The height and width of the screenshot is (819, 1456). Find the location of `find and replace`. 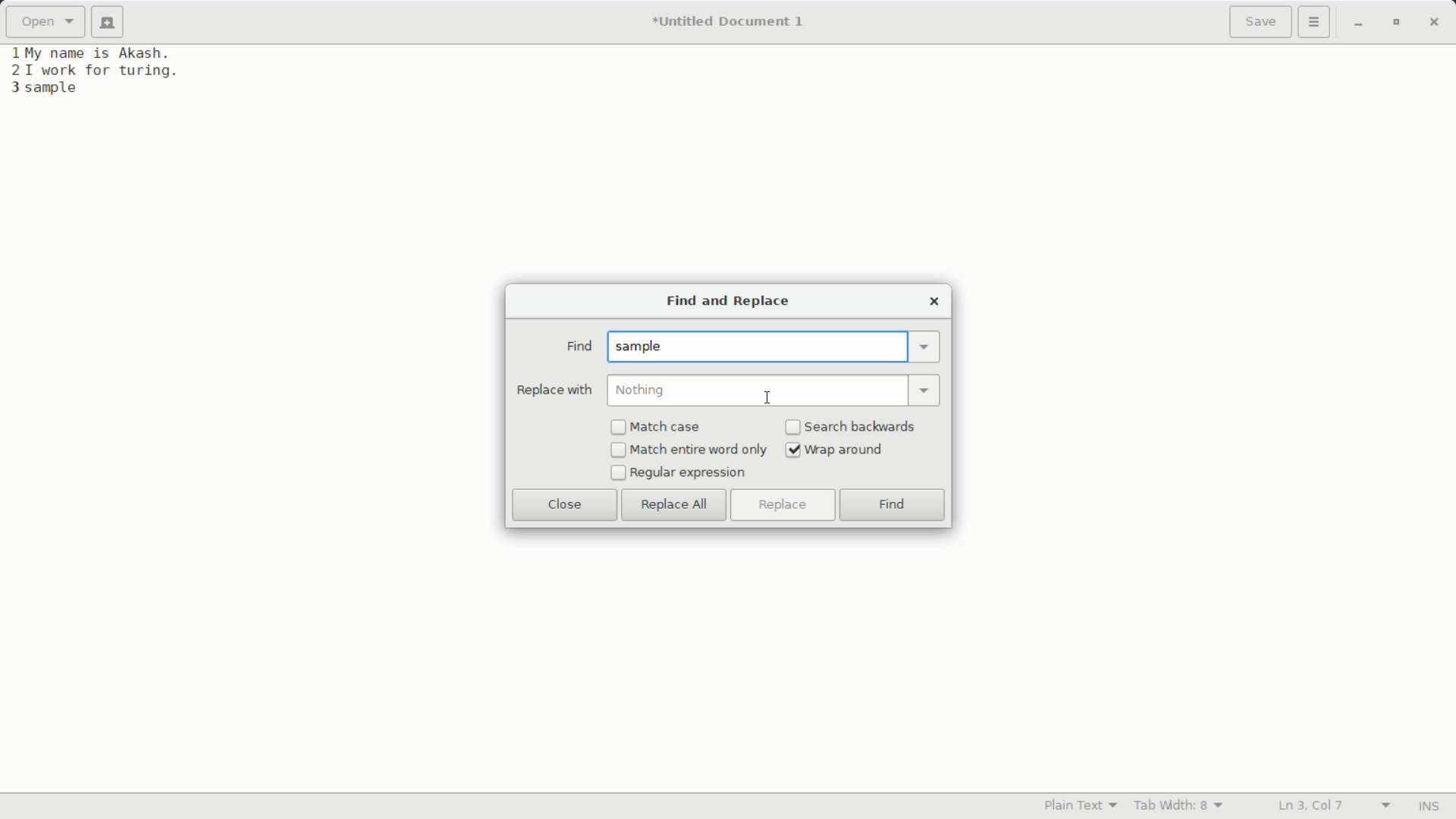

find and replace is located at coordinates (725, 303).